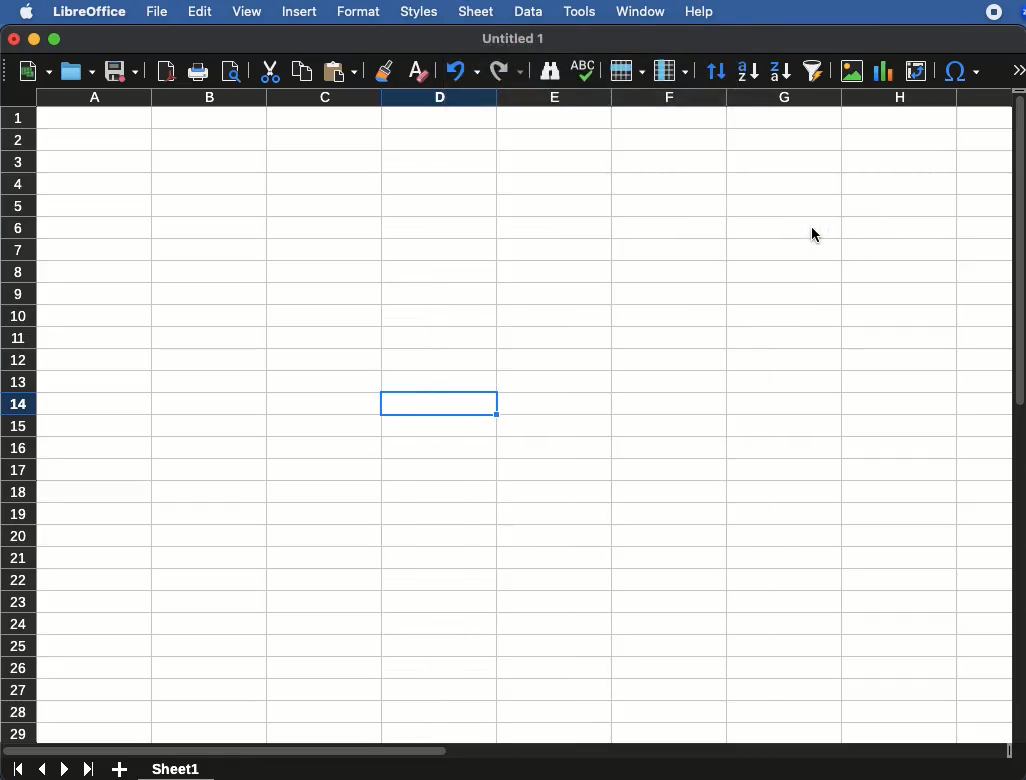 The image size is (1026, 780). Describe the element at coordinates (43, 770) in the screenshot. I see `previous sheet` at that location.